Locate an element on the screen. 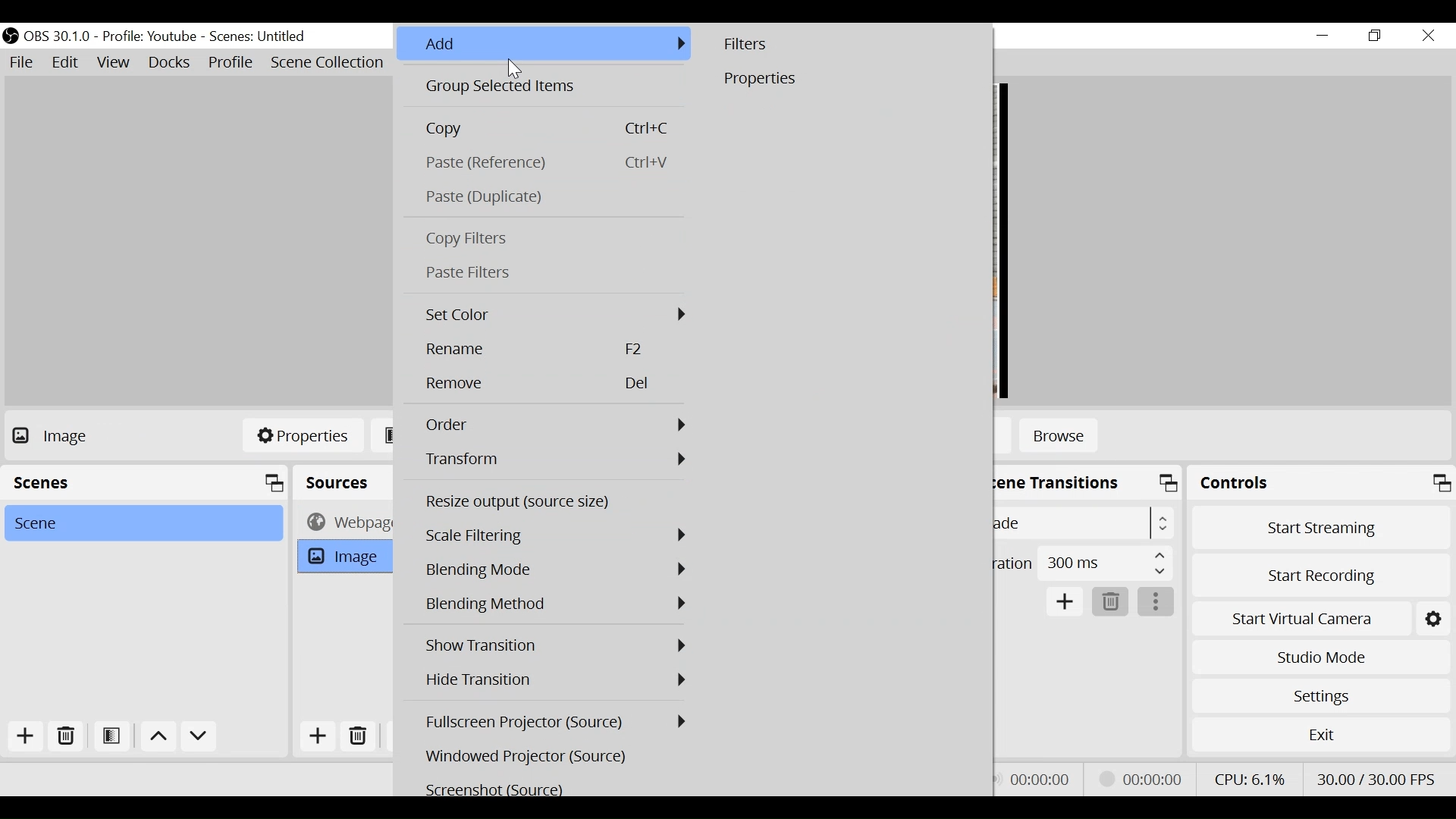 The width and height of the screenshot is (1456, 819). Start Recording is located at coordinates (1321, 578).